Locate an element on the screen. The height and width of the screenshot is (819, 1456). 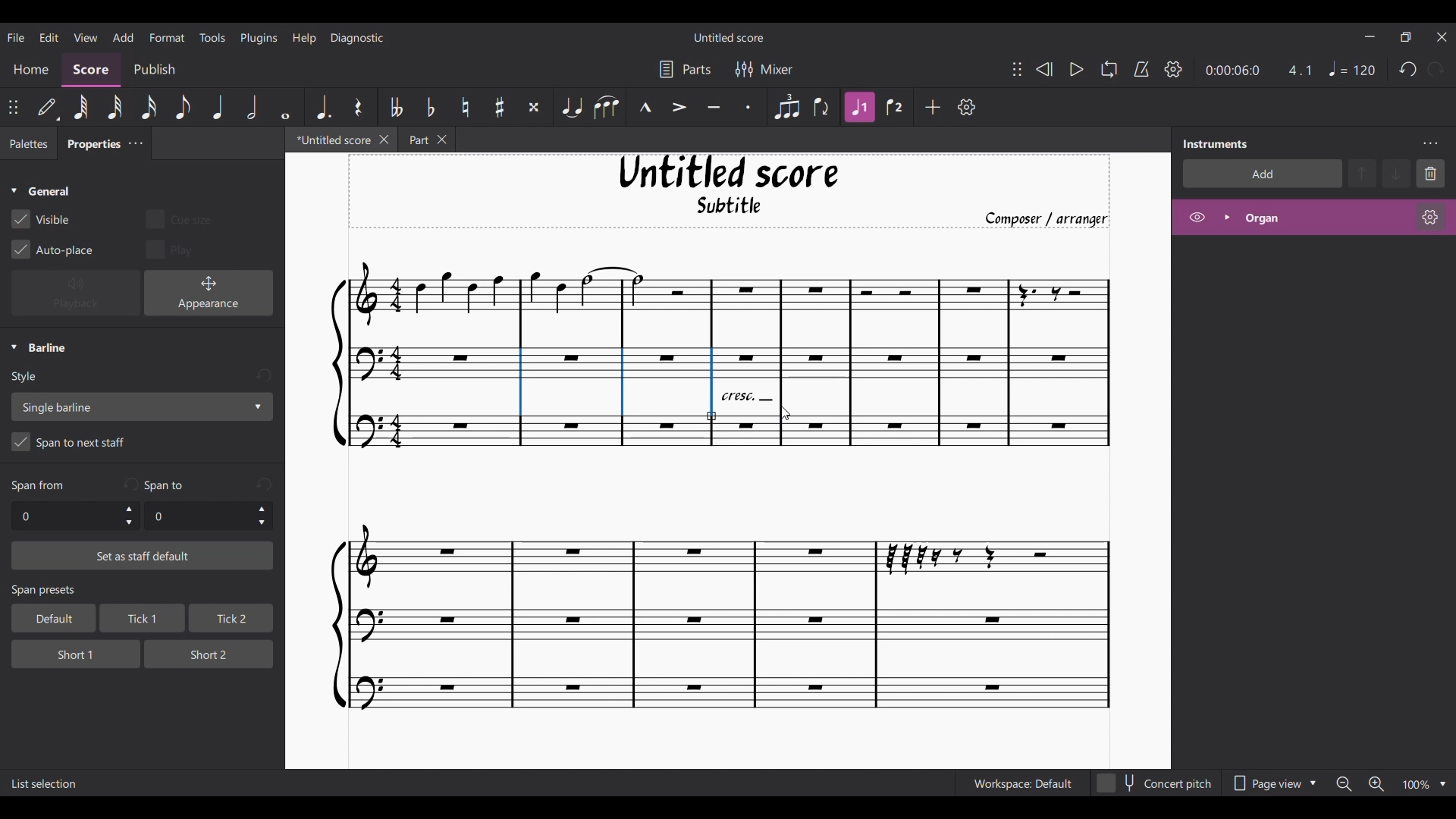
Tenuto is located at coordinates (714, 108).